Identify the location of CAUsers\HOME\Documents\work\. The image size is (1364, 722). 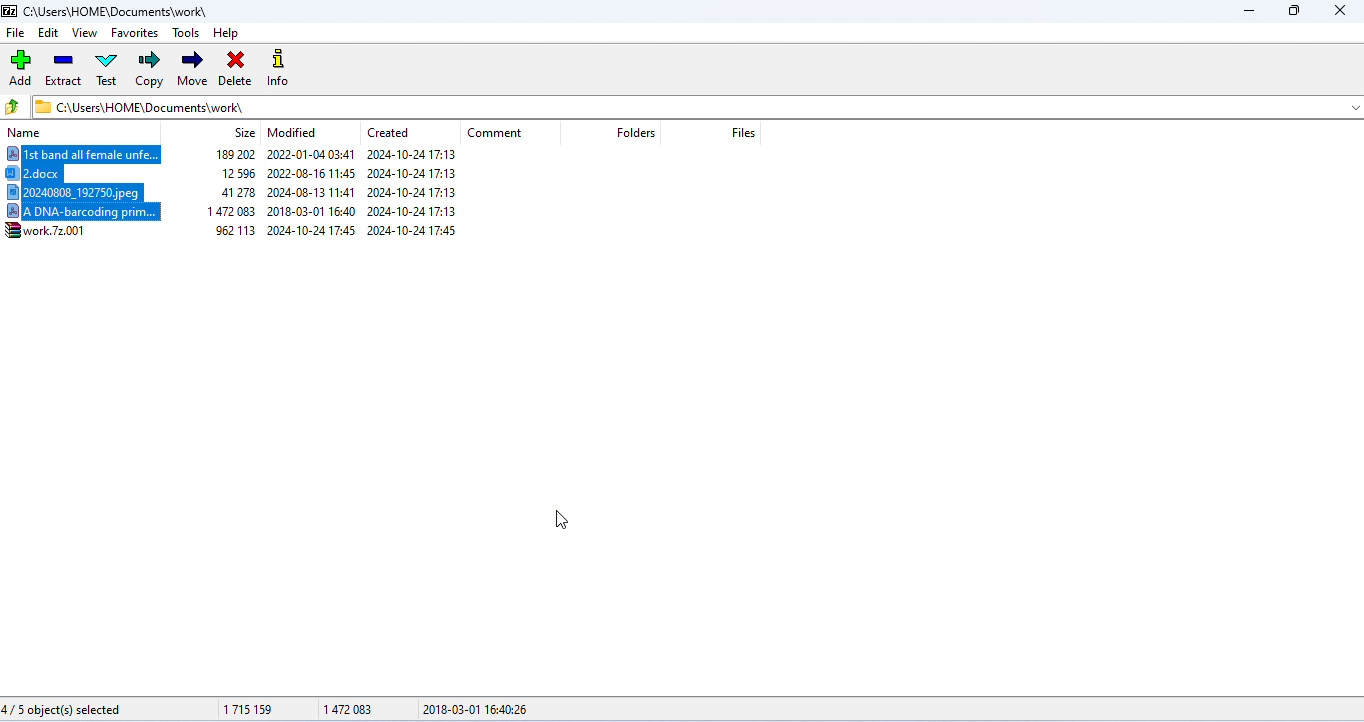
(140, 106).